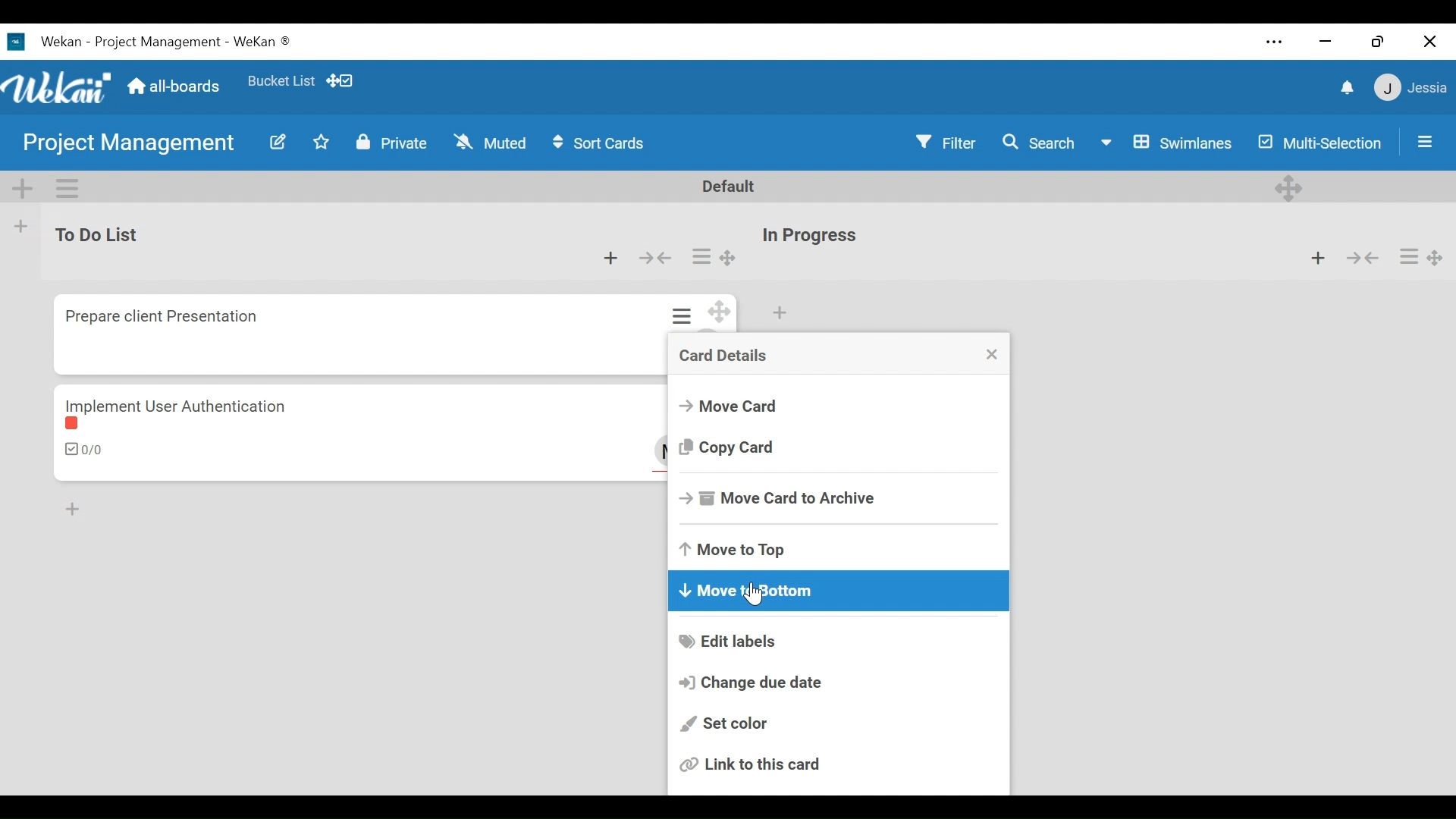 This screenshot has height=819, width=1456. I want to click on card actions, so click(1410, 257).